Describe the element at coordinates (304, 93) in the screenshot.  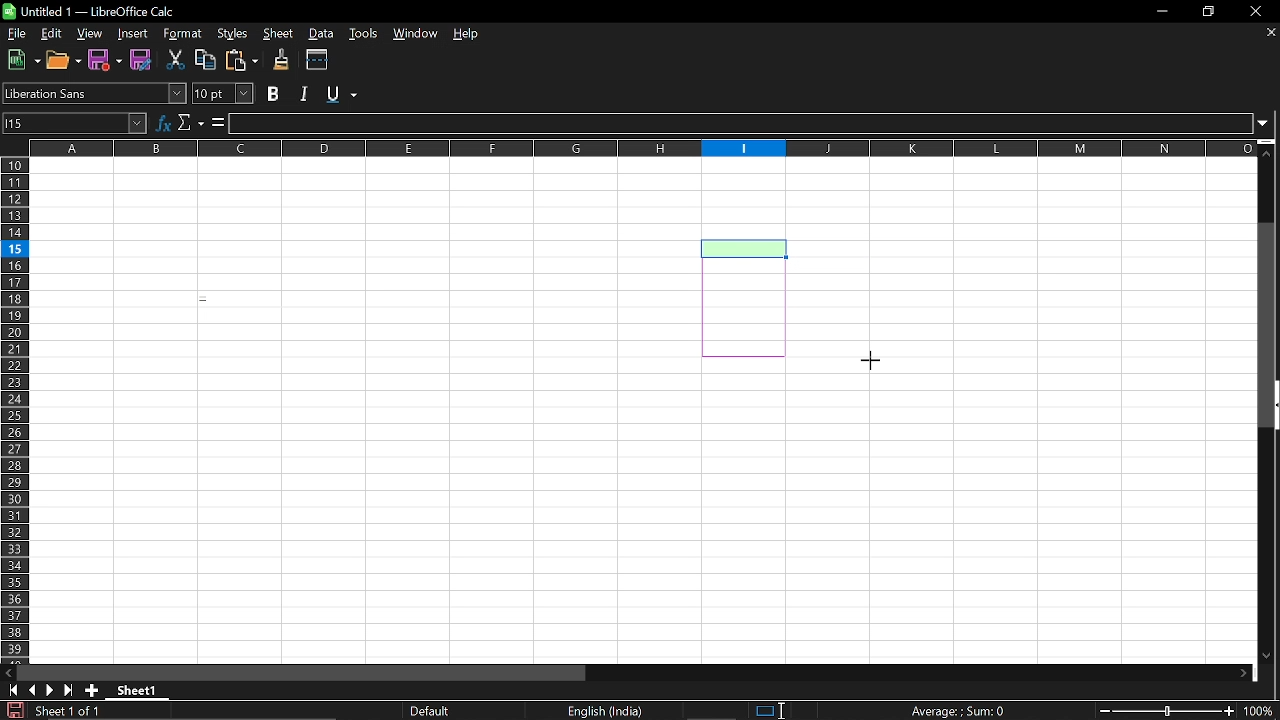
I see `Italic` at that location.